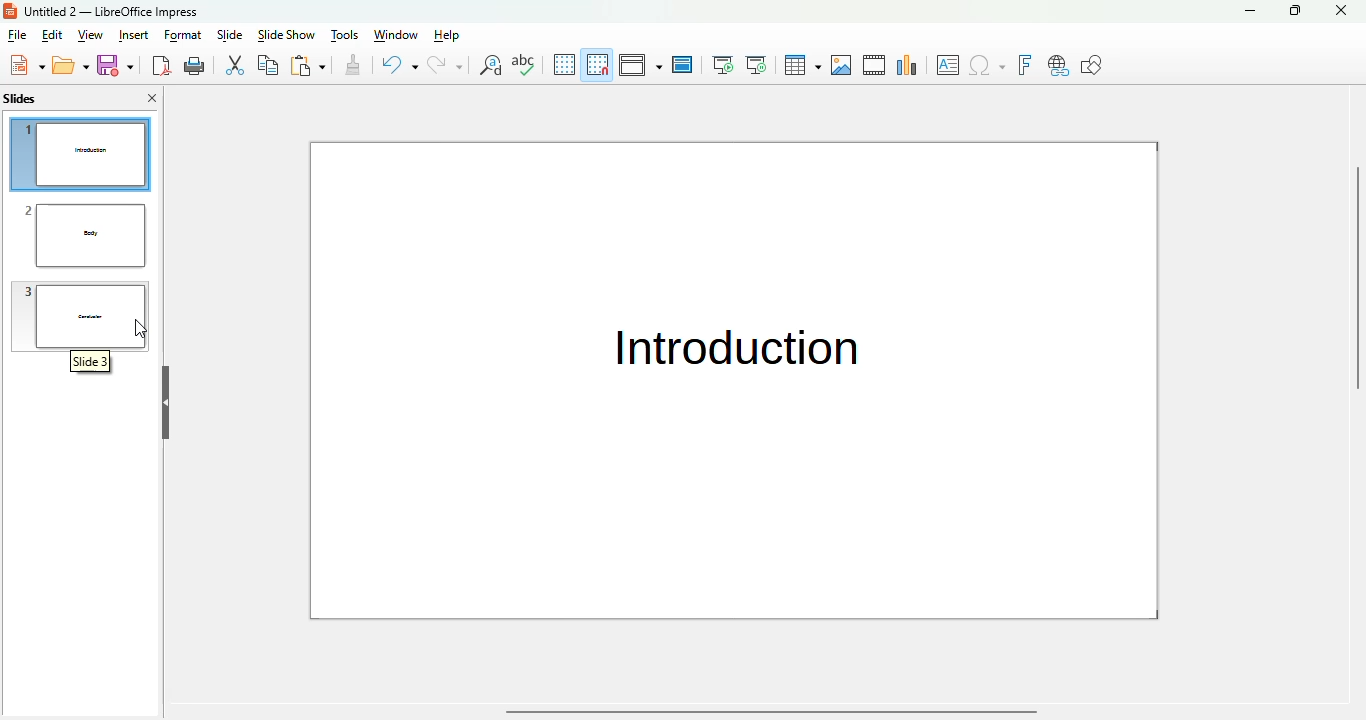 This screenshot has height=720, width=1366. What do you see at coordinates (183, 36) in the screenshot?
I see `format` at bounding box center [183, 36].